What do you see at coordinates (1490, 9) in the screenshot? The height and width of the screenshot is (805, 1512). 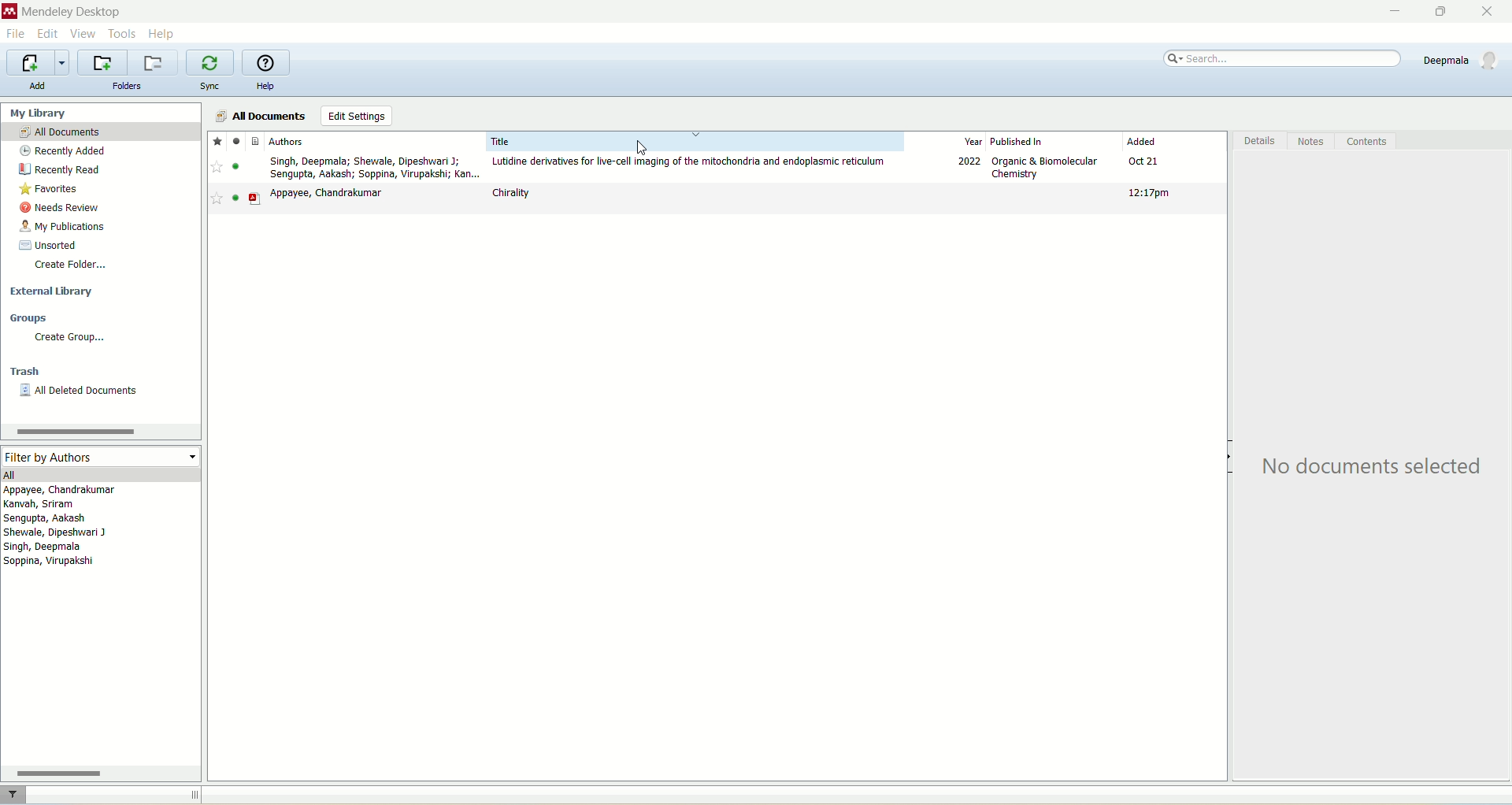 I see `close` at bounding box center [1490, 9].